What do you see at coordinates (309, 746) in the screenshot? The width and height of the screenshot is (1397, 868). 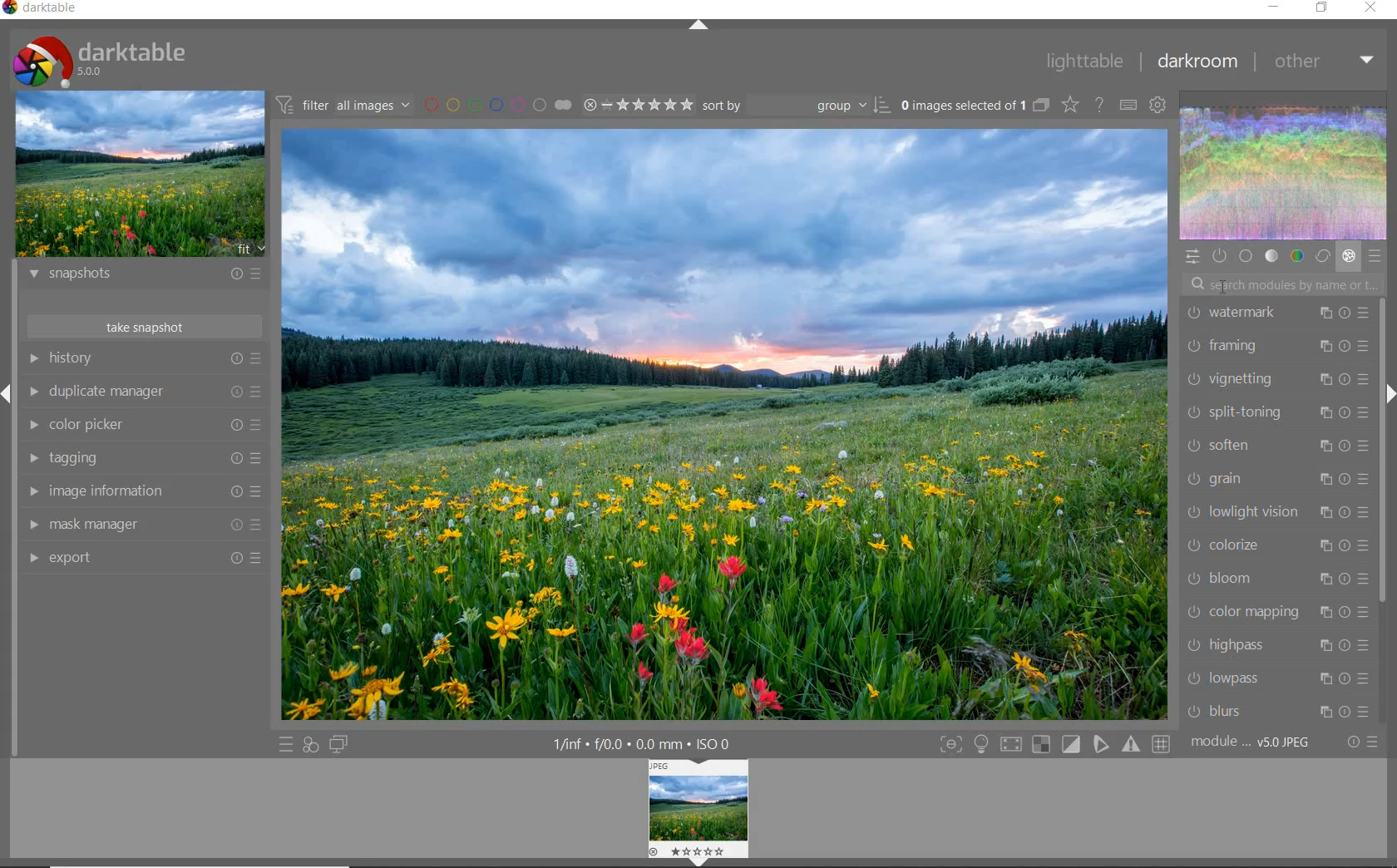 I see `quick access for applying any of your styles` at bounding box center [309, 746].